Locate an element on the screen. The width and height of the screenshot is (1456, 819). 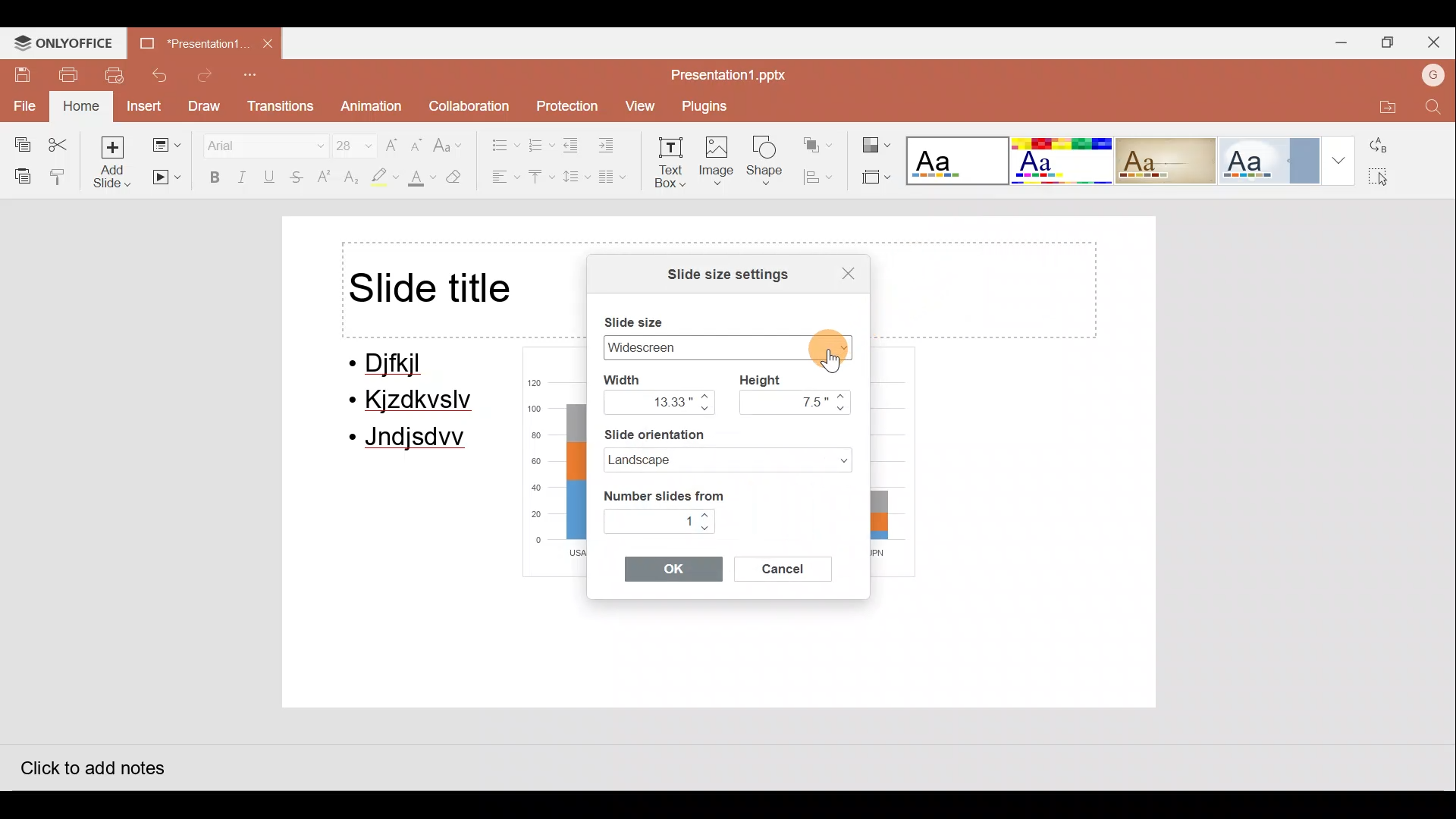
Cut is located at coordinates (62, 141).